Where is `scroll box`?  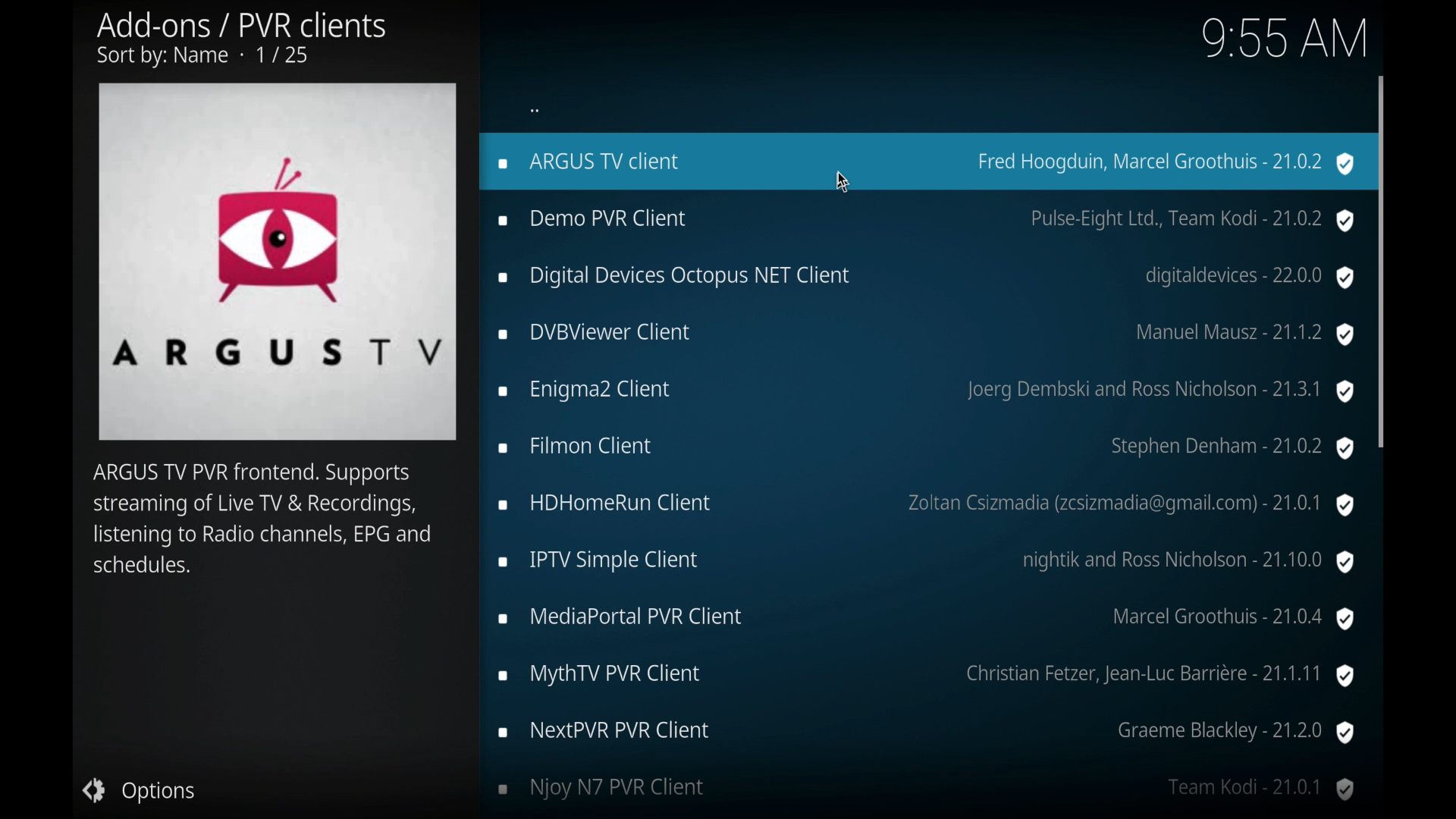 scroll box is located at coordinates (1382, 260).